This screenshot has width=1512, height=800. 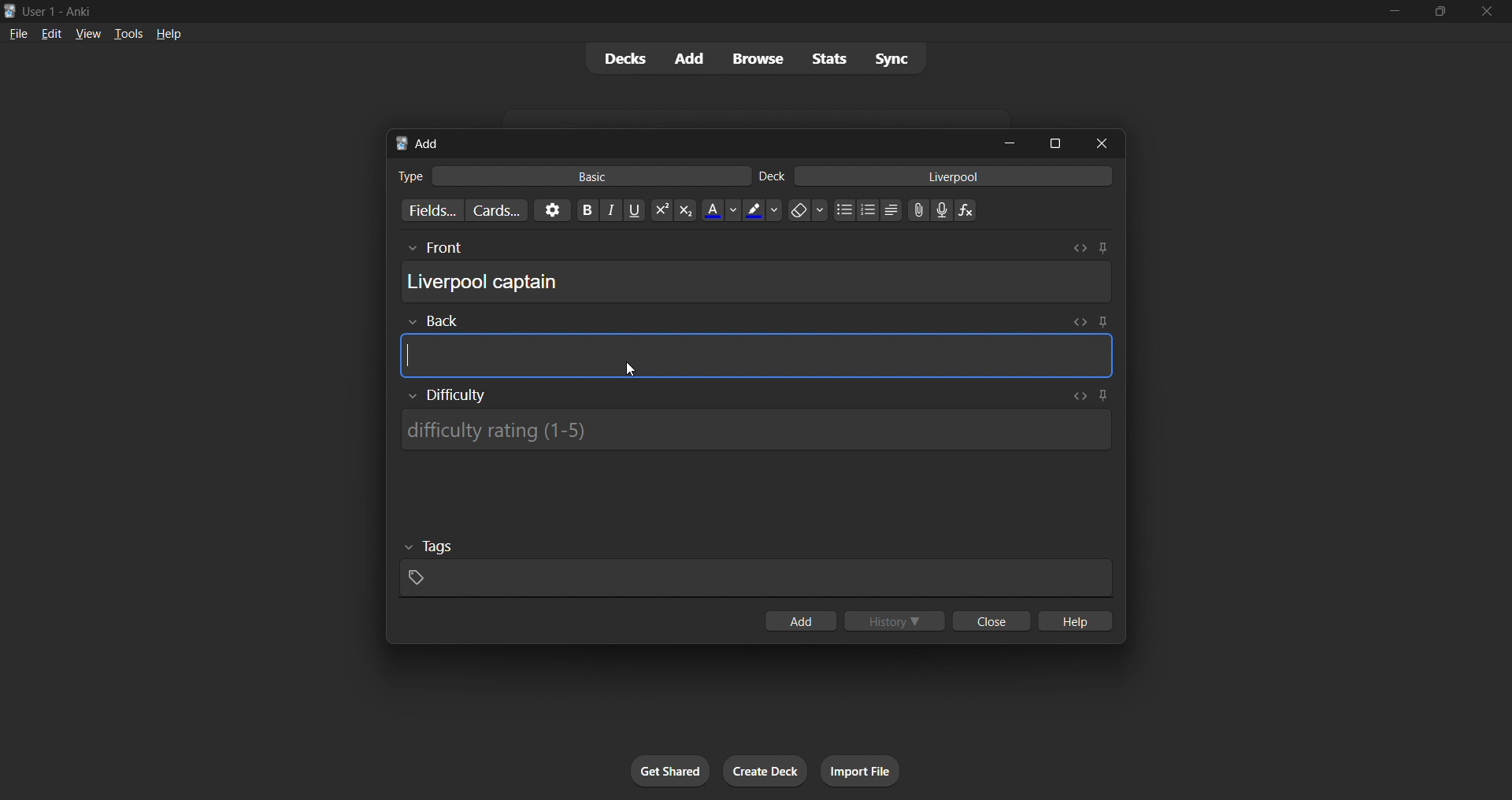 What do you see at coordinates (756, 281) in the screenshot?
I see `card front field input box` at bounding box center [756, 281].